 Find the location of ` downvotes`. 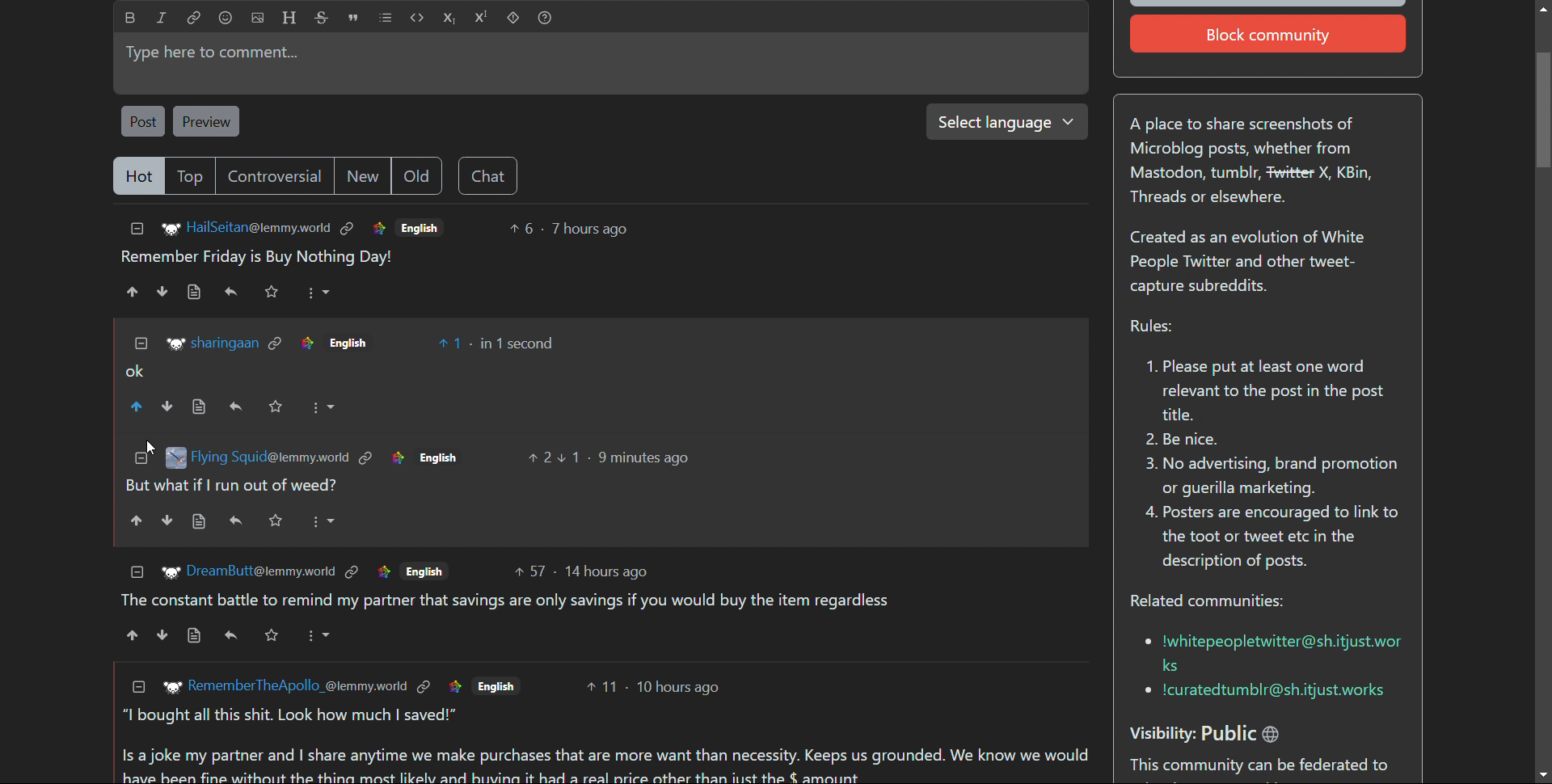

 downvotes is located at coordinates (164, 291).